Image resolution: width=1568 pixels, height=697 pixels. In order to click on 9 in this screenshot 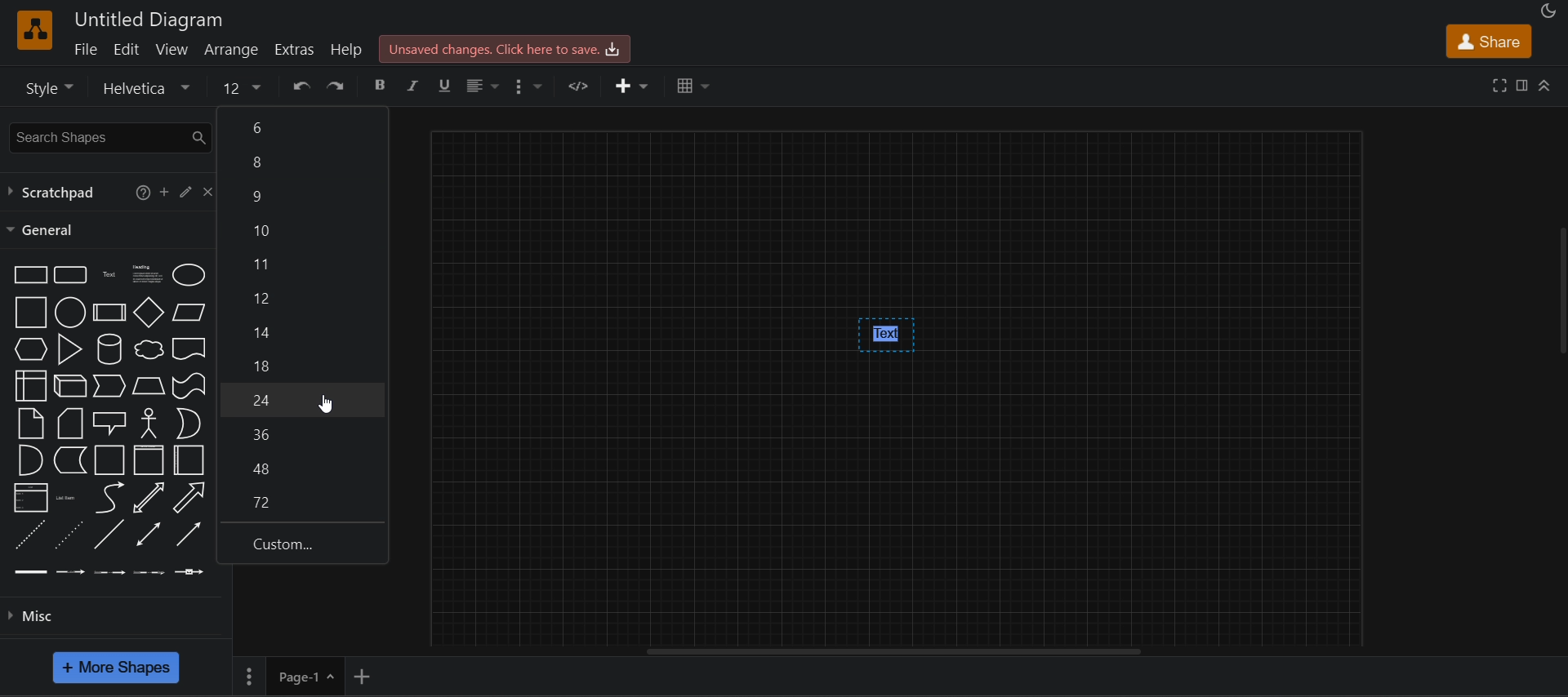, I will do `click(305, 198)`.